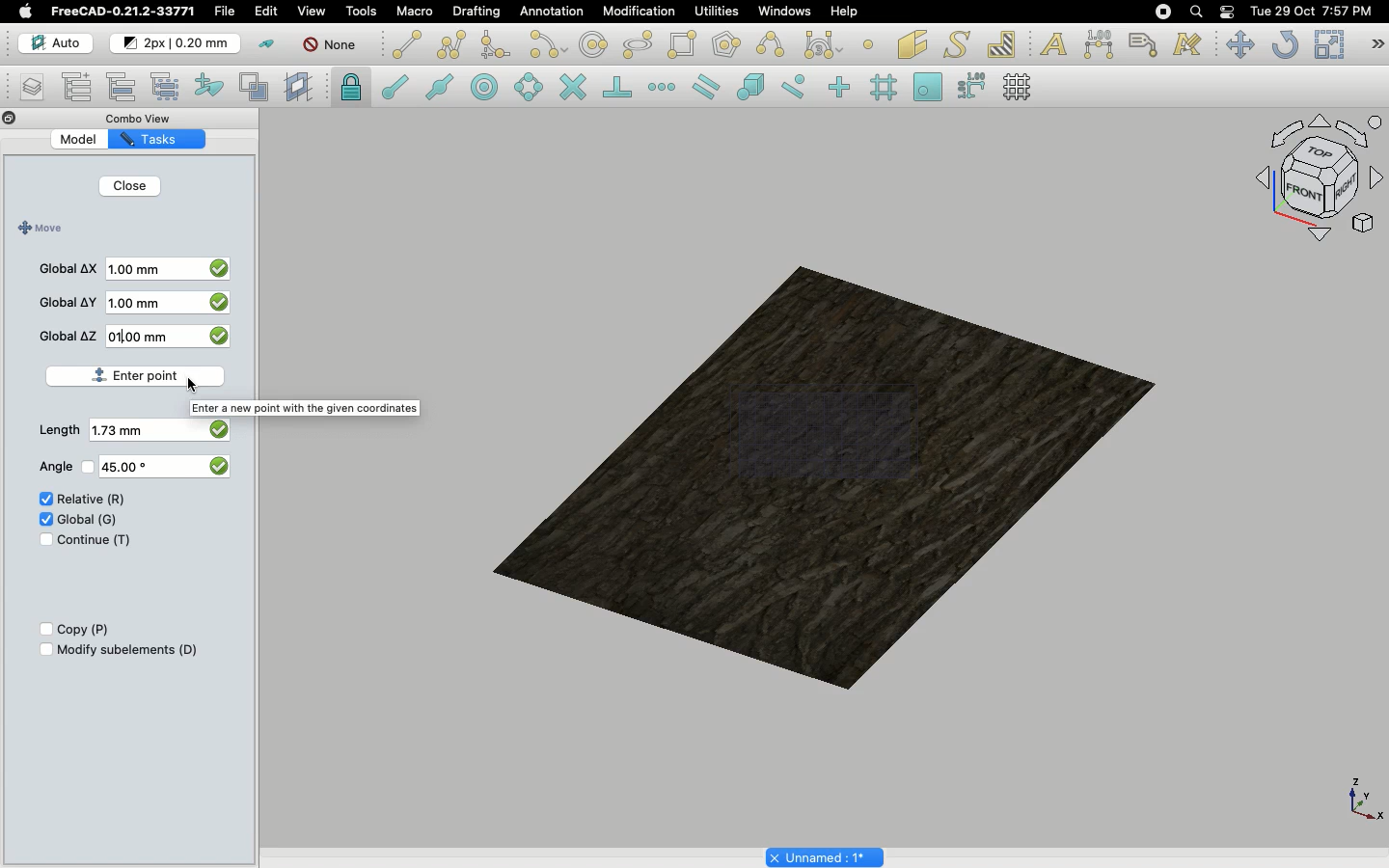  What do you see at coordinates (68, 302) in the screenshot?
I see `Global Y` at bounding box center [68, 302].